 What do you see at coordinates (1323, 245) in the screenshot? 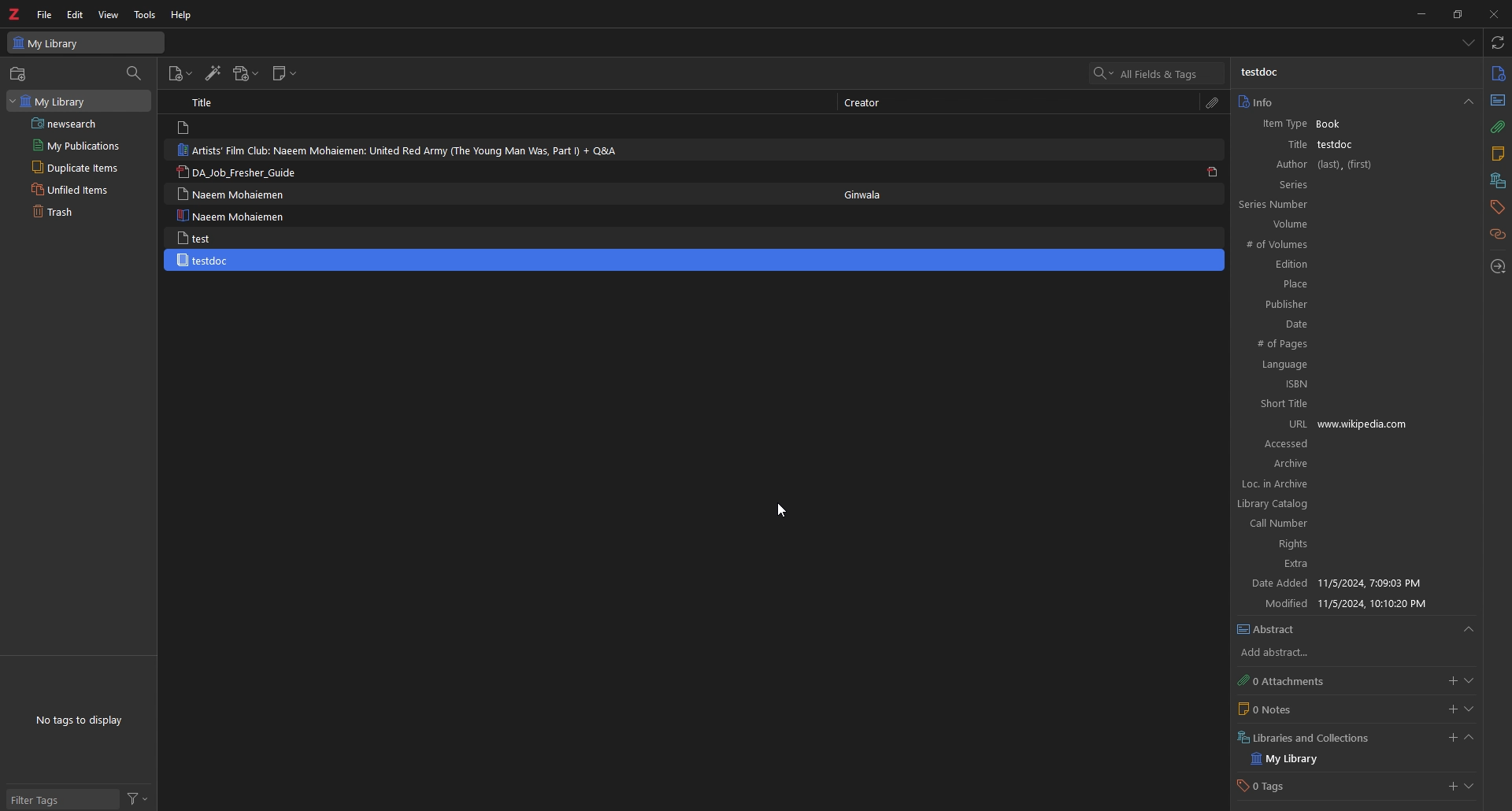
I see `#of Volumes` at bounding box center [1323, 245].